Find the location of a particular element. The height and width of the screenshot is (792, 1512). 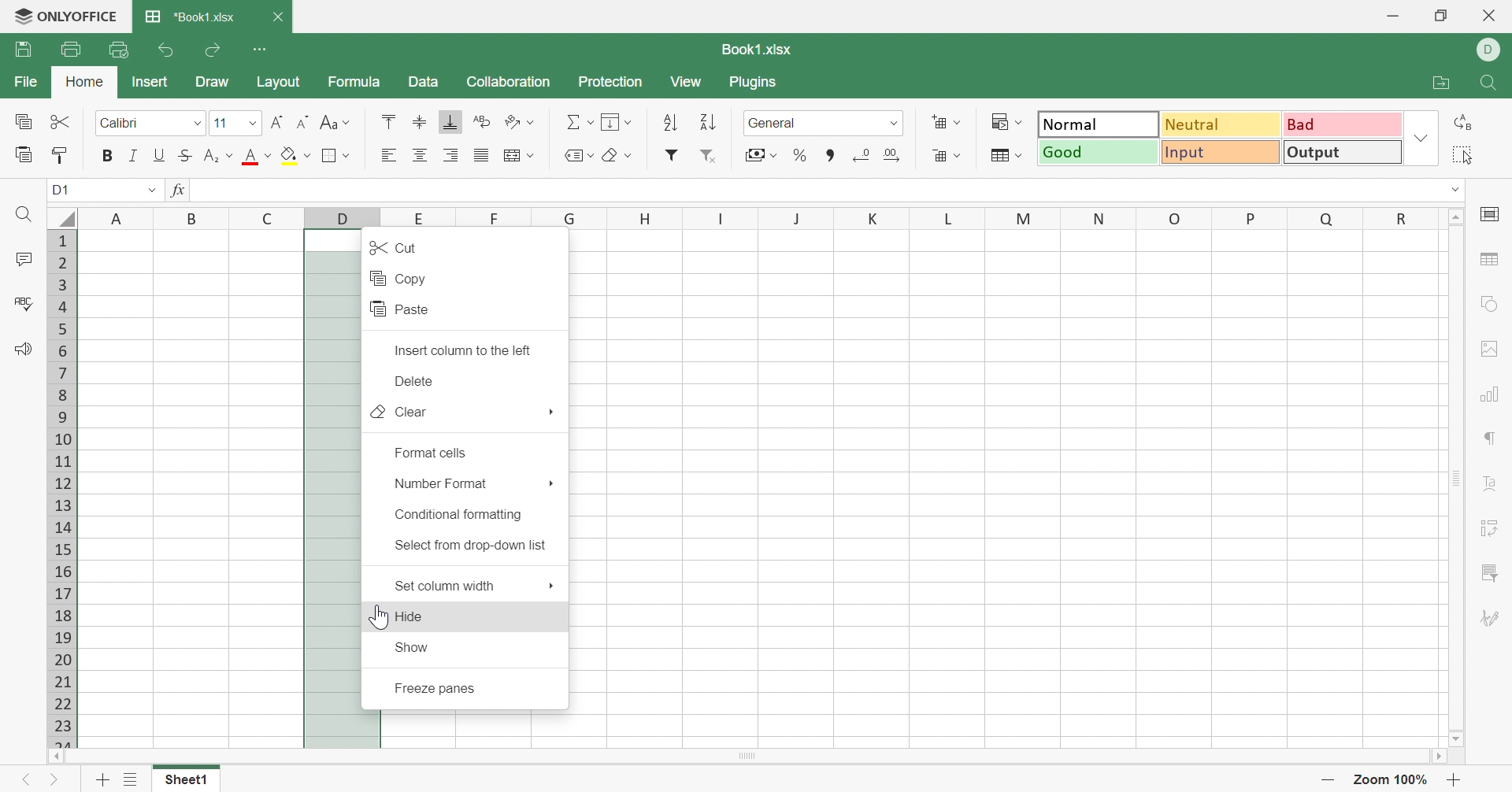

Align Right is located at coordinates (451, 155).